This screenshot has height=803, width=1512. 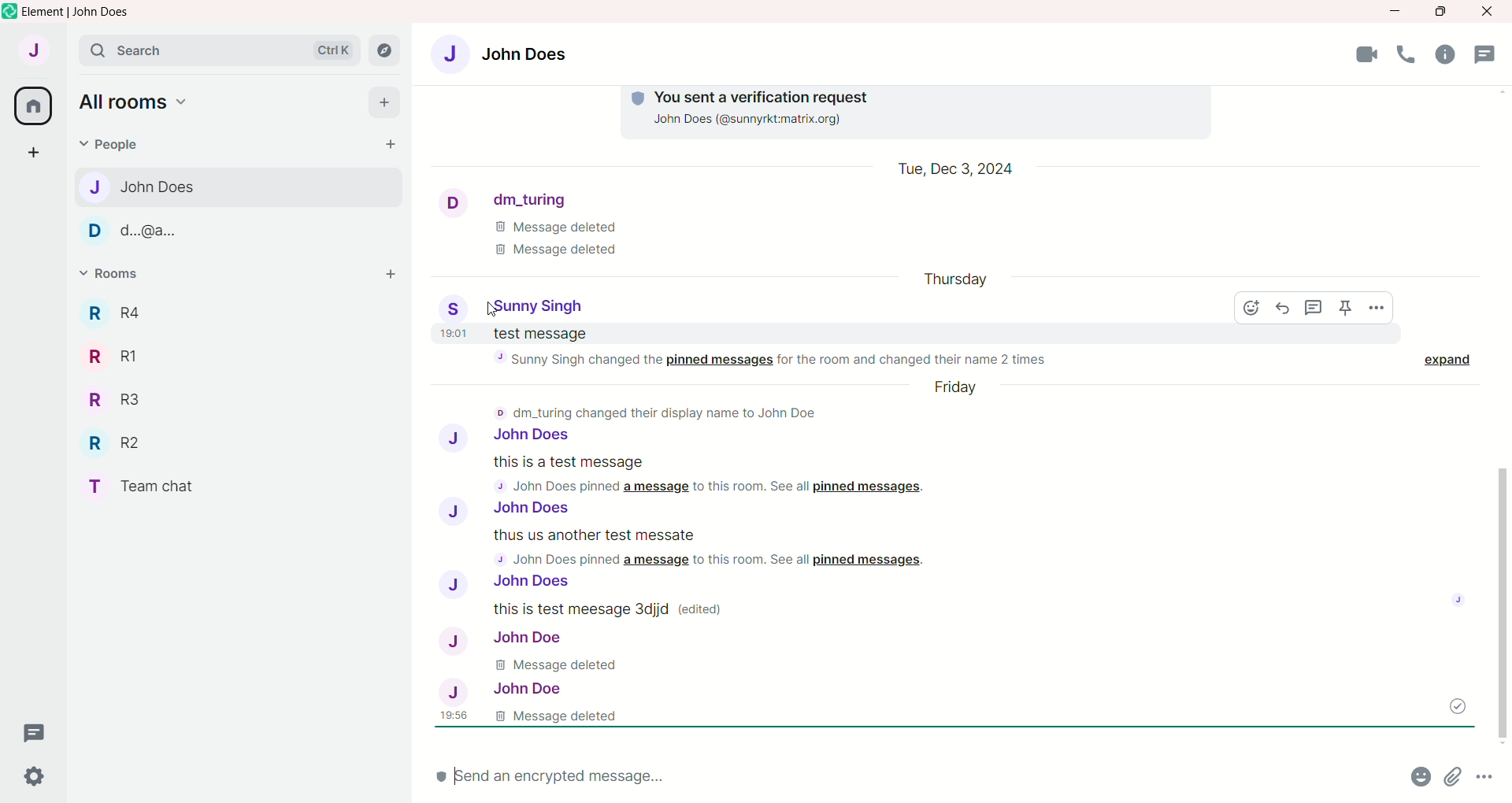 What do you see at coordinates (606, 609) in the screenshot?
I see `this is test message` at bounding box center [606, 609].